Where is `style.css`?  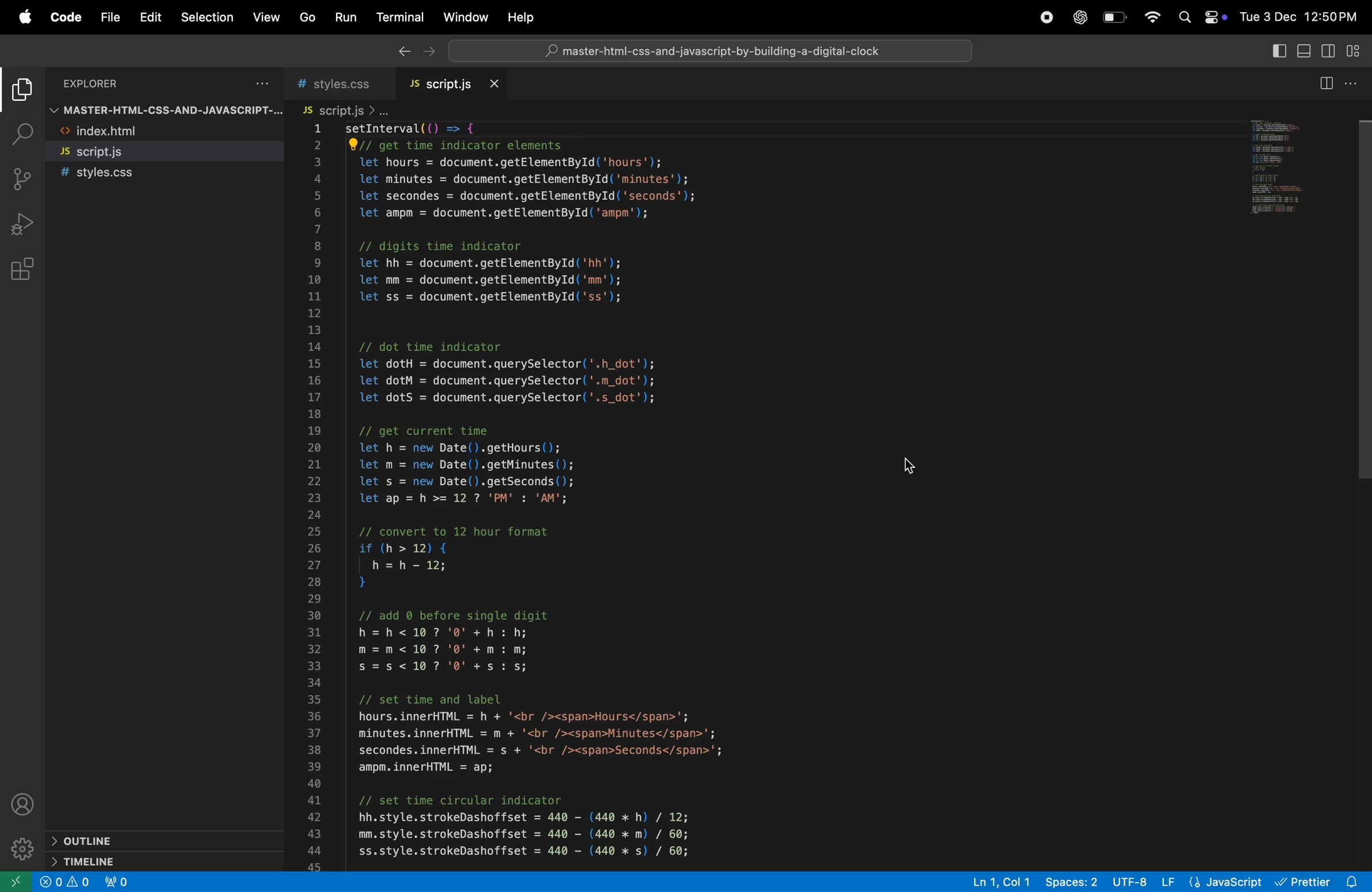 style.css is located at coordinates (166, 174).